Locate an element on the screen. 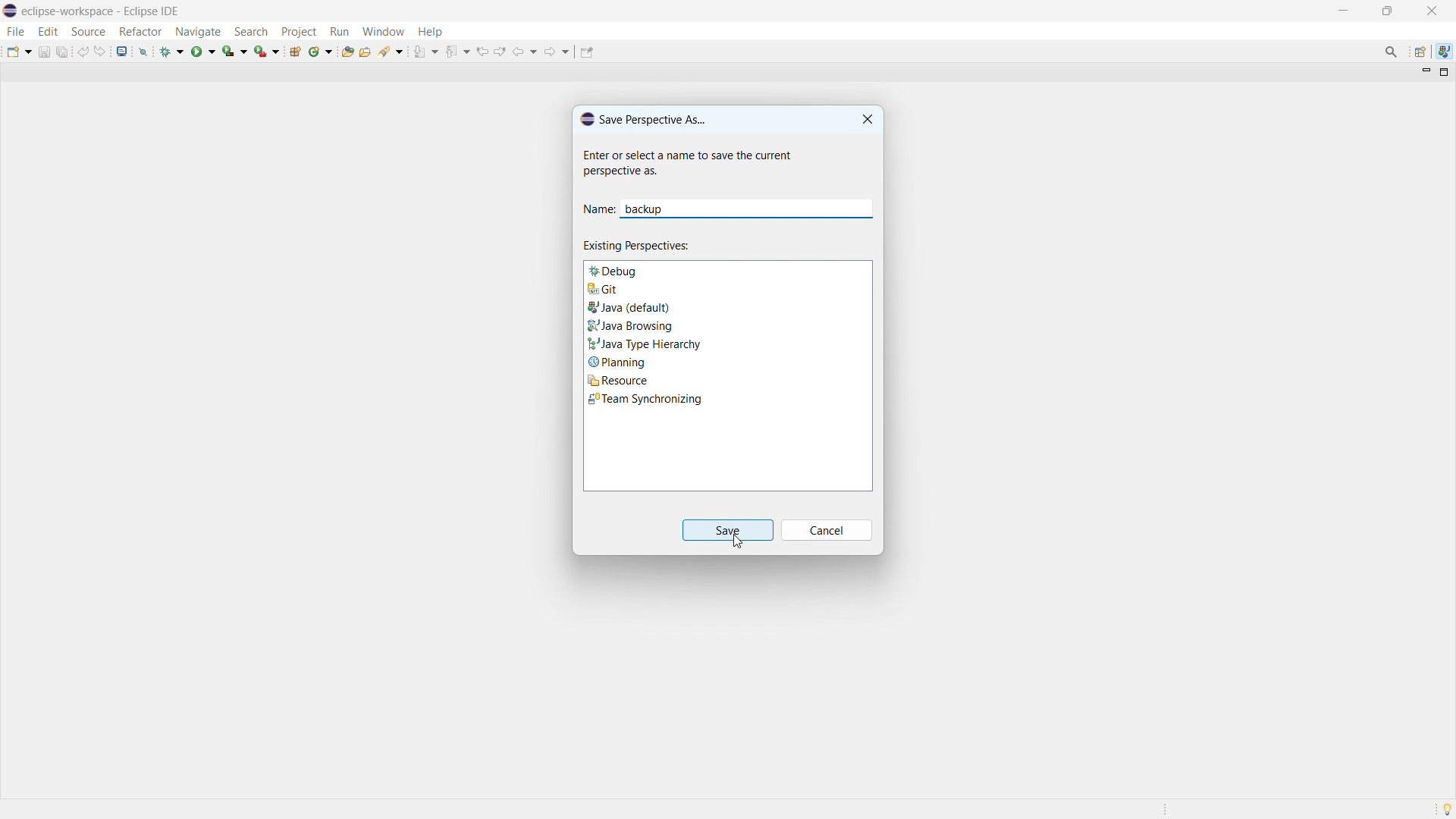 Image resolution: width=1456 pixels, height=819 pixels. undo is located at coordinates (83, 51).